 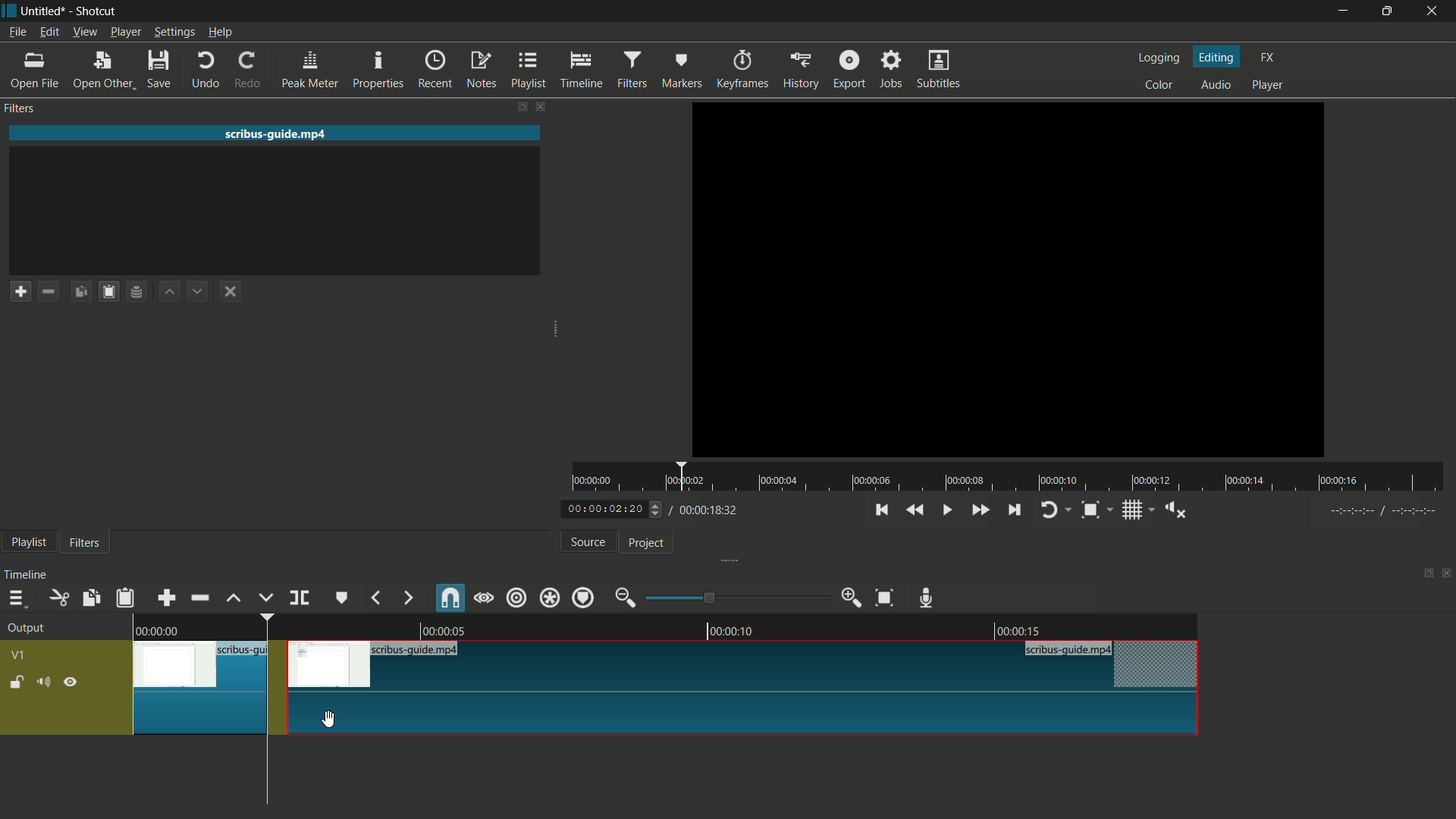 What do you see at coordinates (881, 510) in the screenshot?
I see `skip to the previous point` at bounding box center [881, 510].